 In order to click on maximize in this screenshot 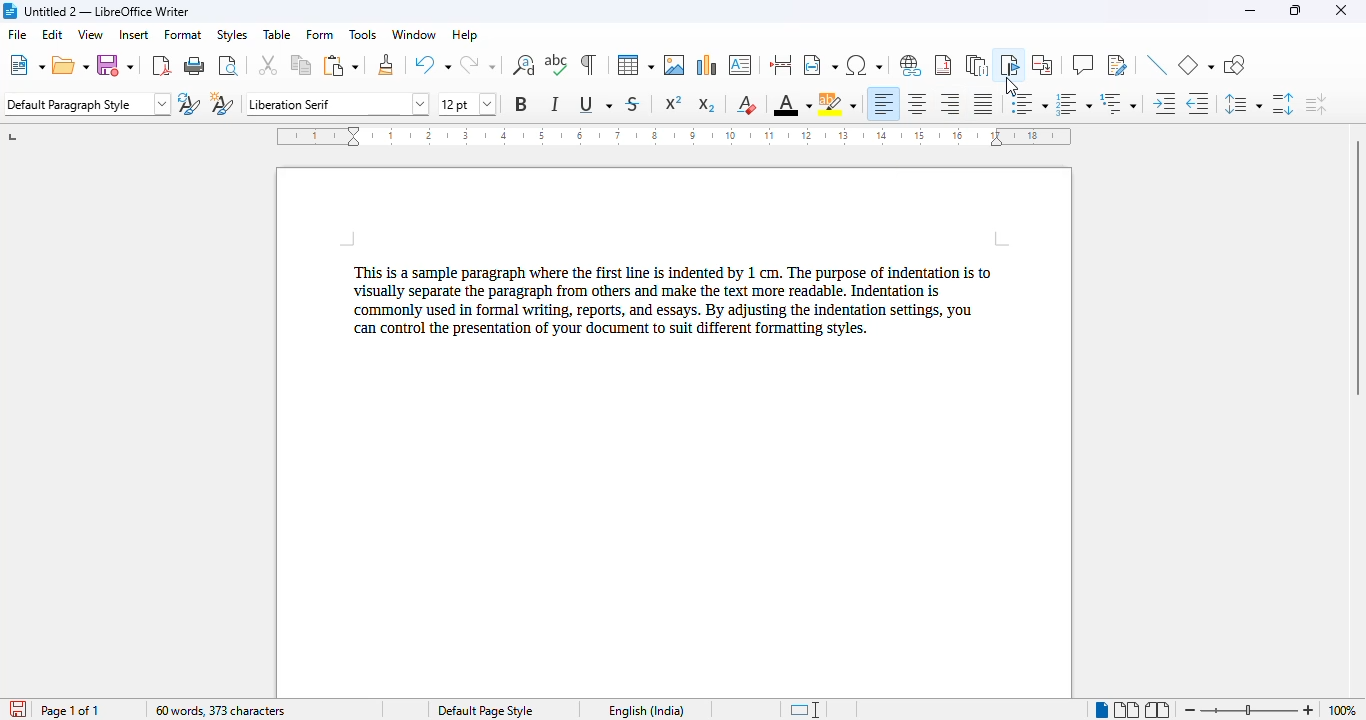, I will do `click(1296, 11)`.